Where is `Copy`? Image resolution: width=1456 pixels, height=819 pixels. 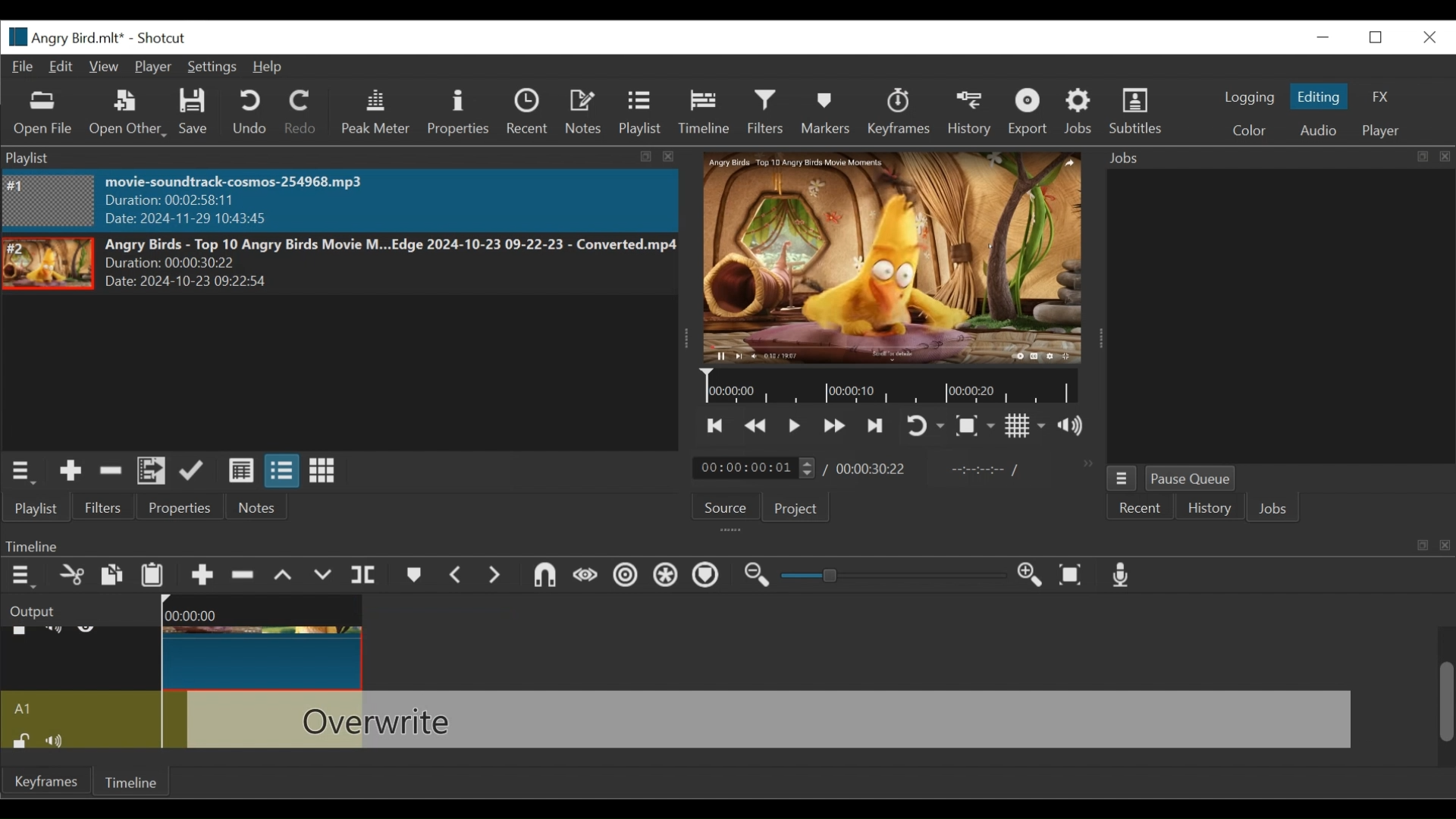 Copy is located at coordinates (115, 576).